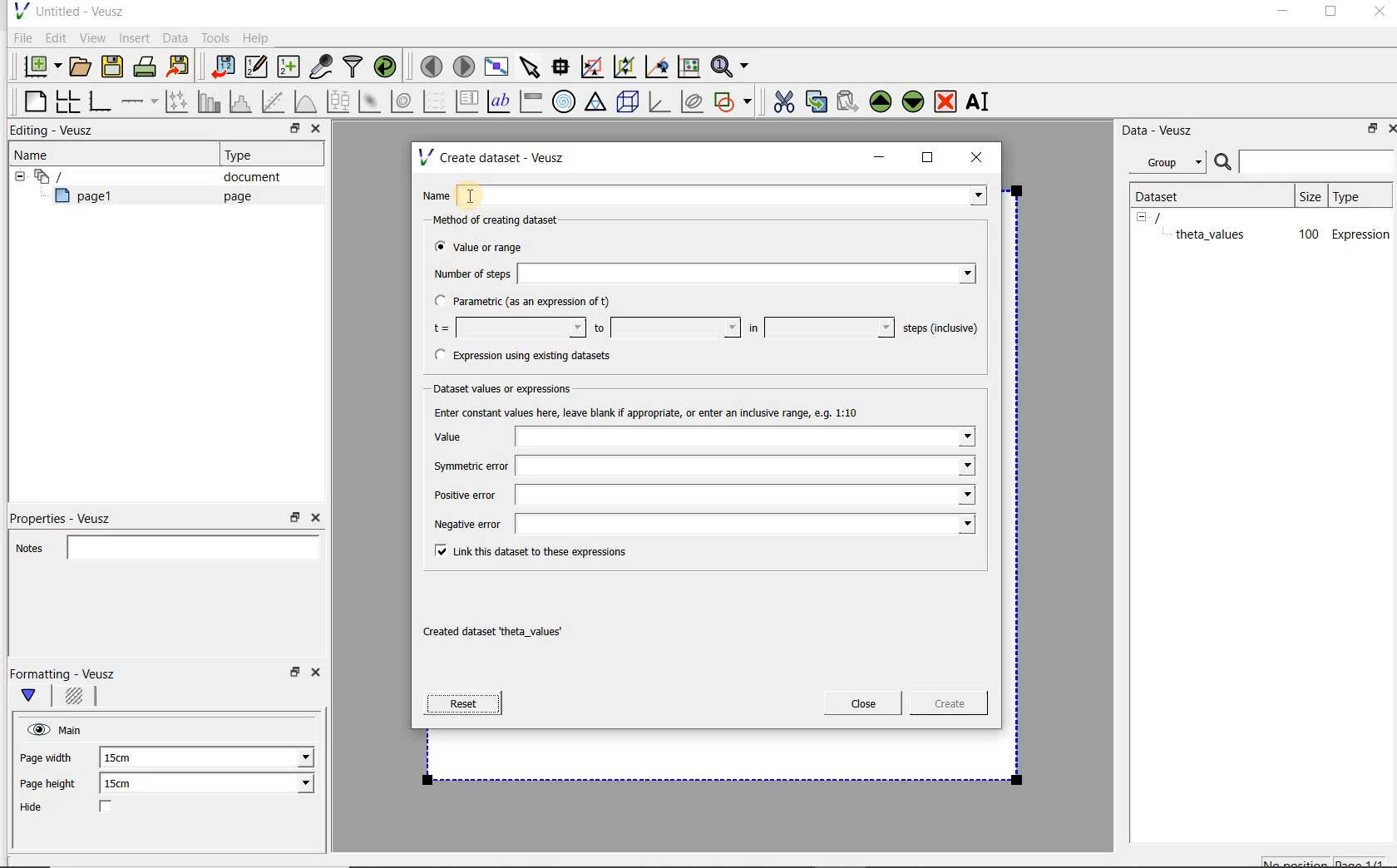 This screenshot has width=1397, height=868. Describe the element at coordinates (526, 550) in the screenshot. I see `Link this dataset to these expressions` at that location.